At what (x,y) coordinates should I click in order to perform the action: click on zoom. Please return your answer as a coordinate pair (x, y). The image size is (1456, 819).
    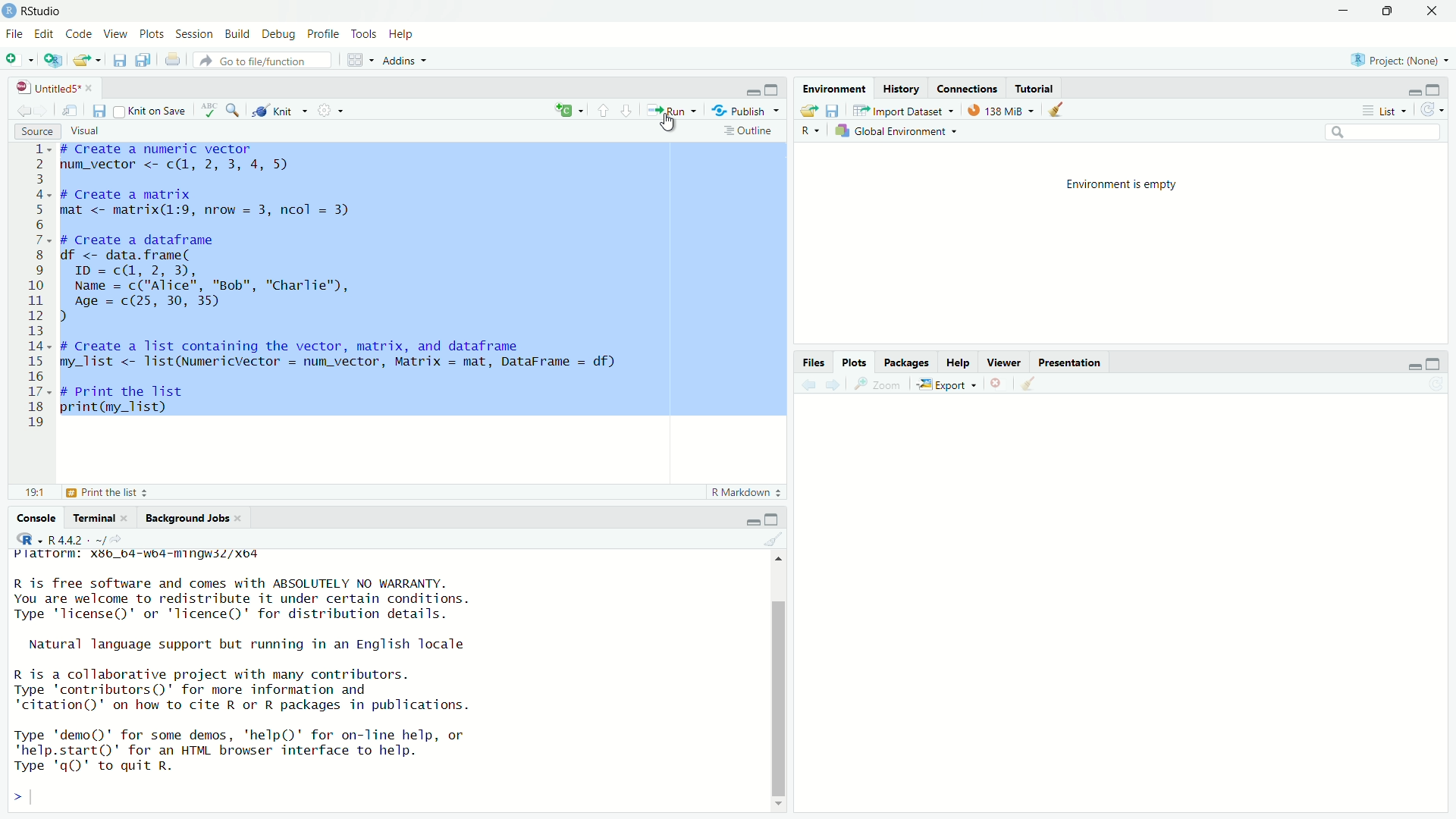
    Looking at the image, I should click on (877, 385).